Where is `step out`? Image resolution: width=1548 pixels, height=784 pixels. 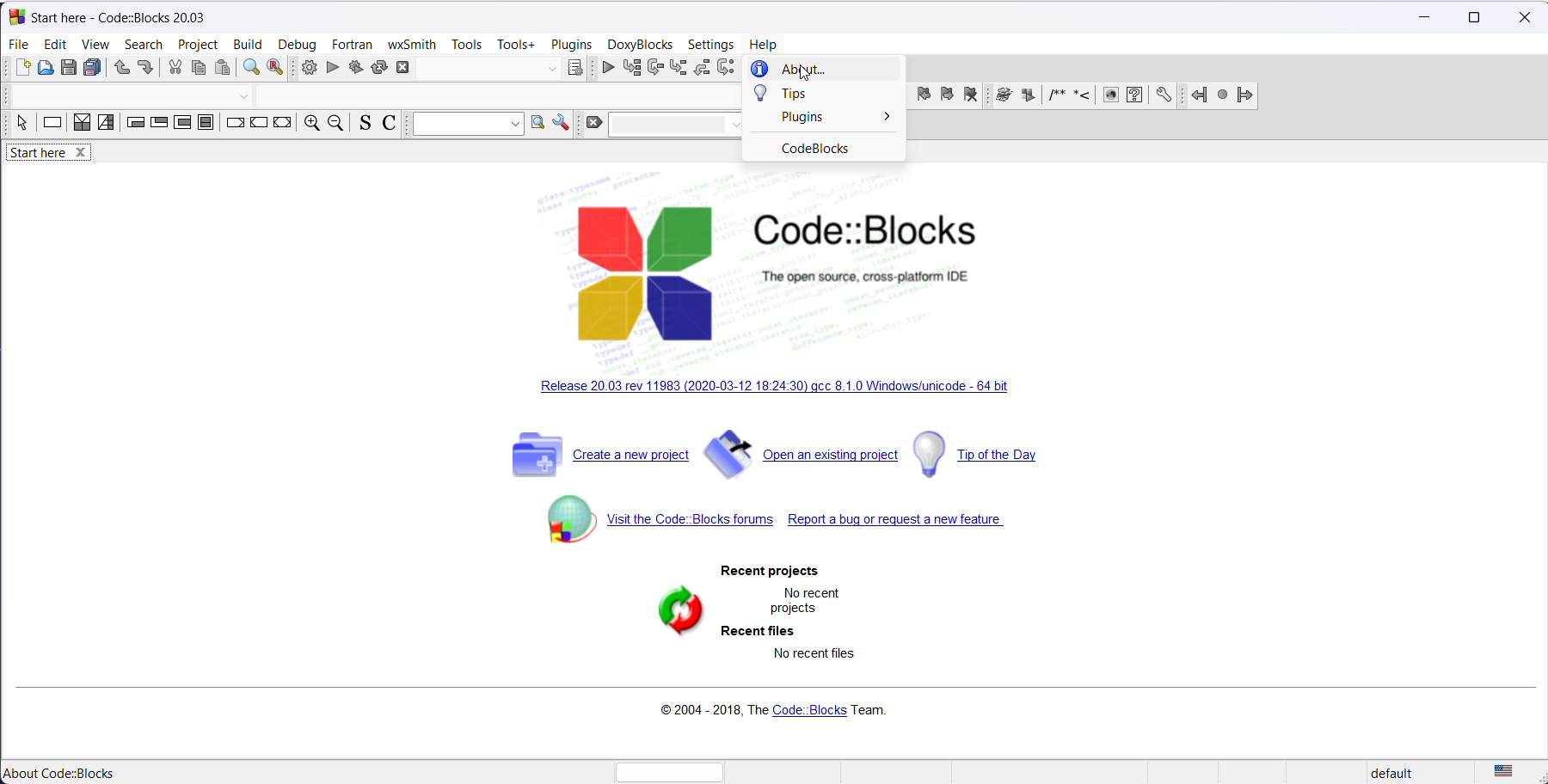
step out is located at coordinates (701, 70).